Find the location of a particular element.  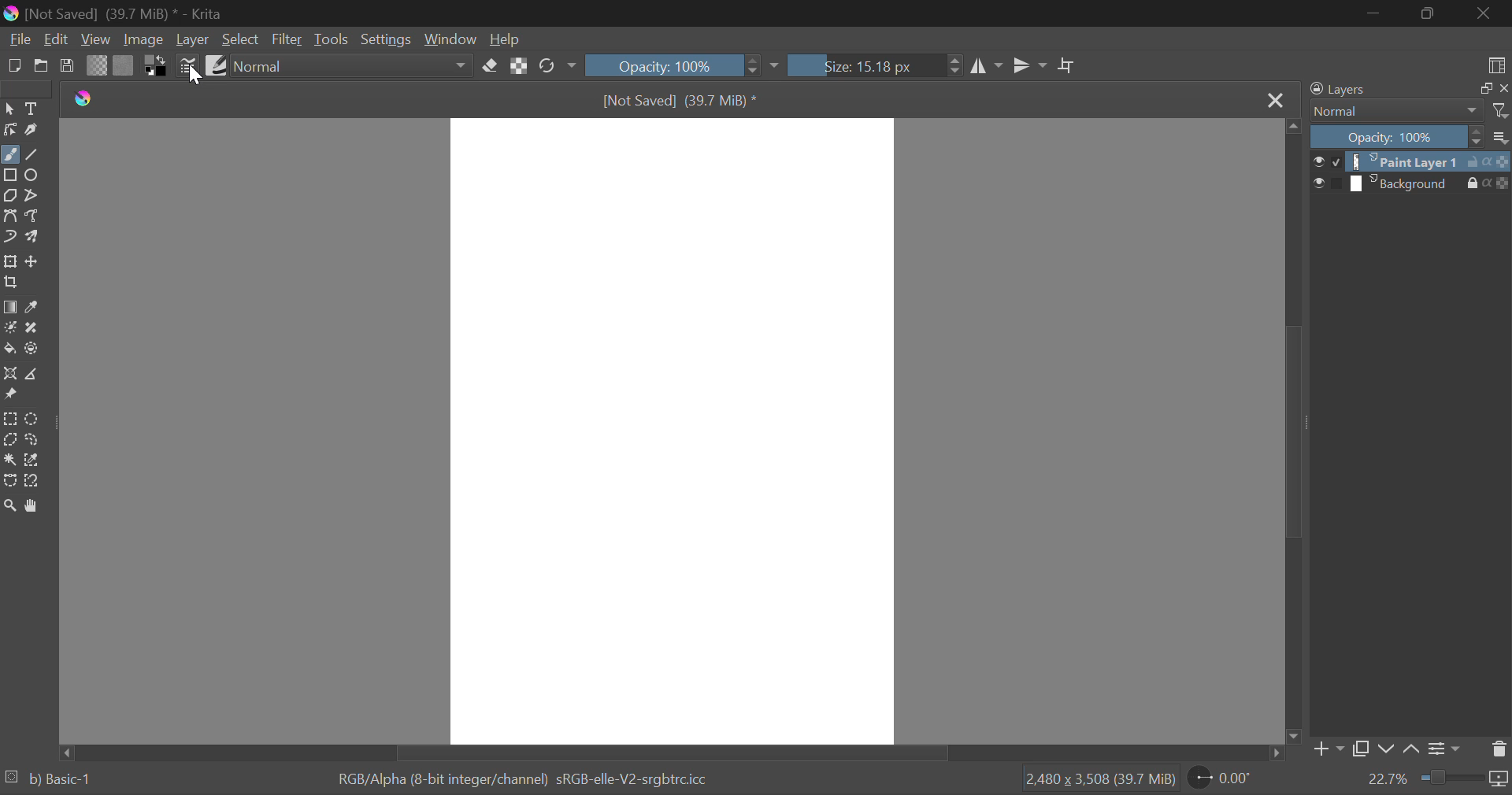

Document Workspace is located at coordinates (672, 429).